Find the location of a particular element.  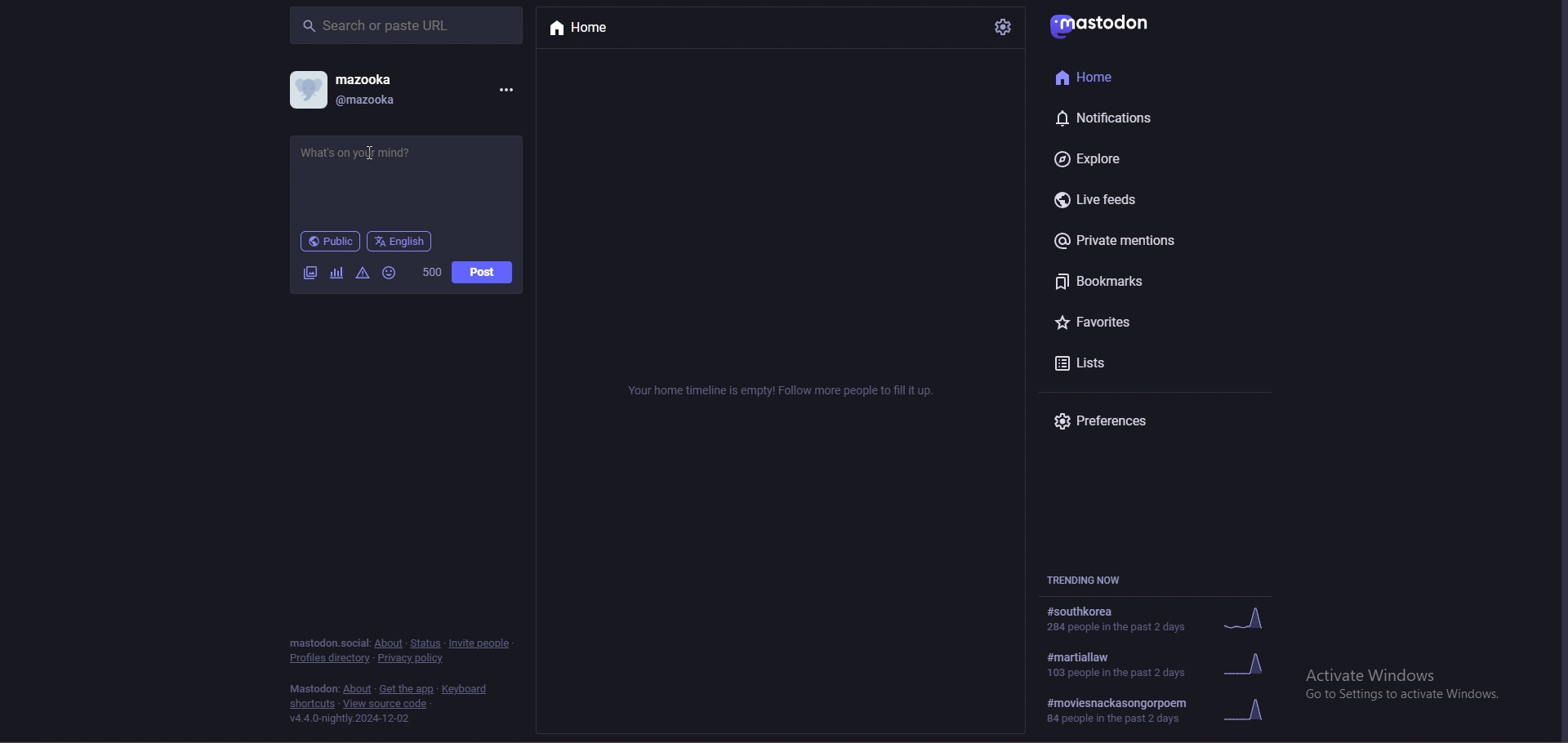

trending is located at coordinates (1156, 666).